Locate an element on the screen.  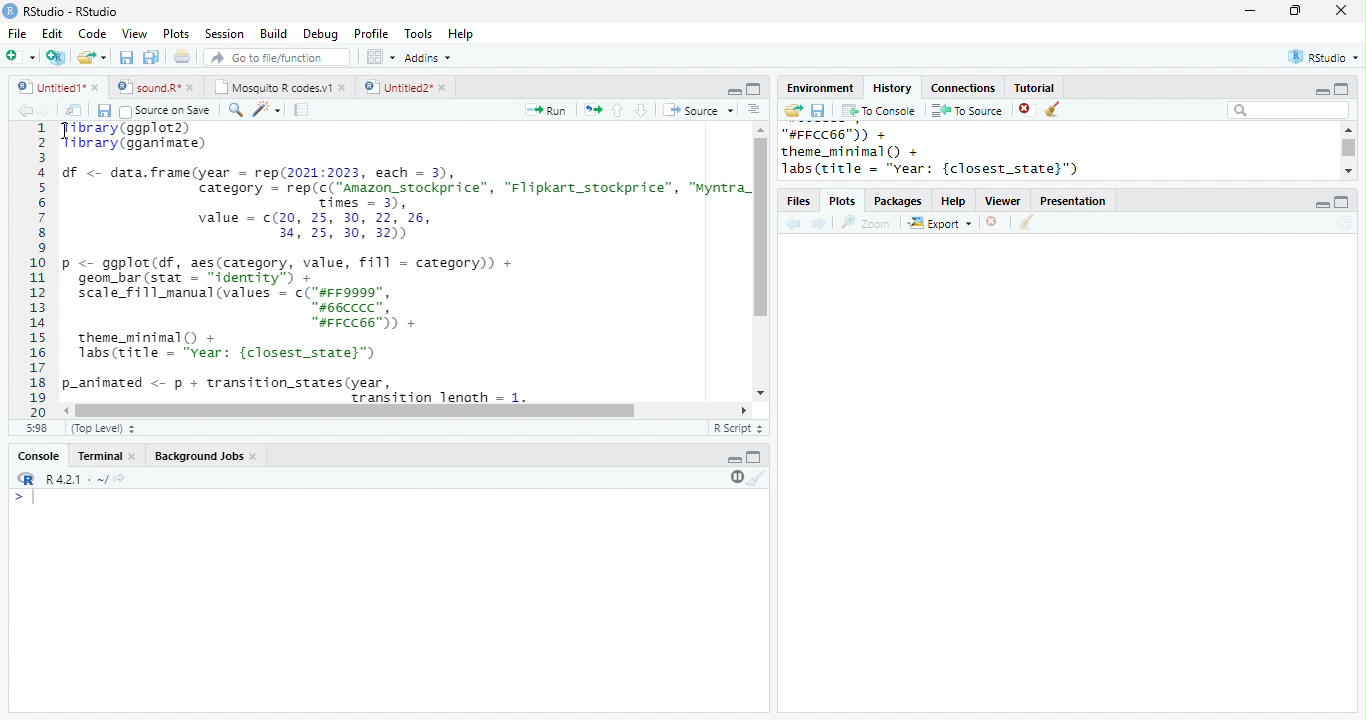
close is located at coordinates (344, 89).